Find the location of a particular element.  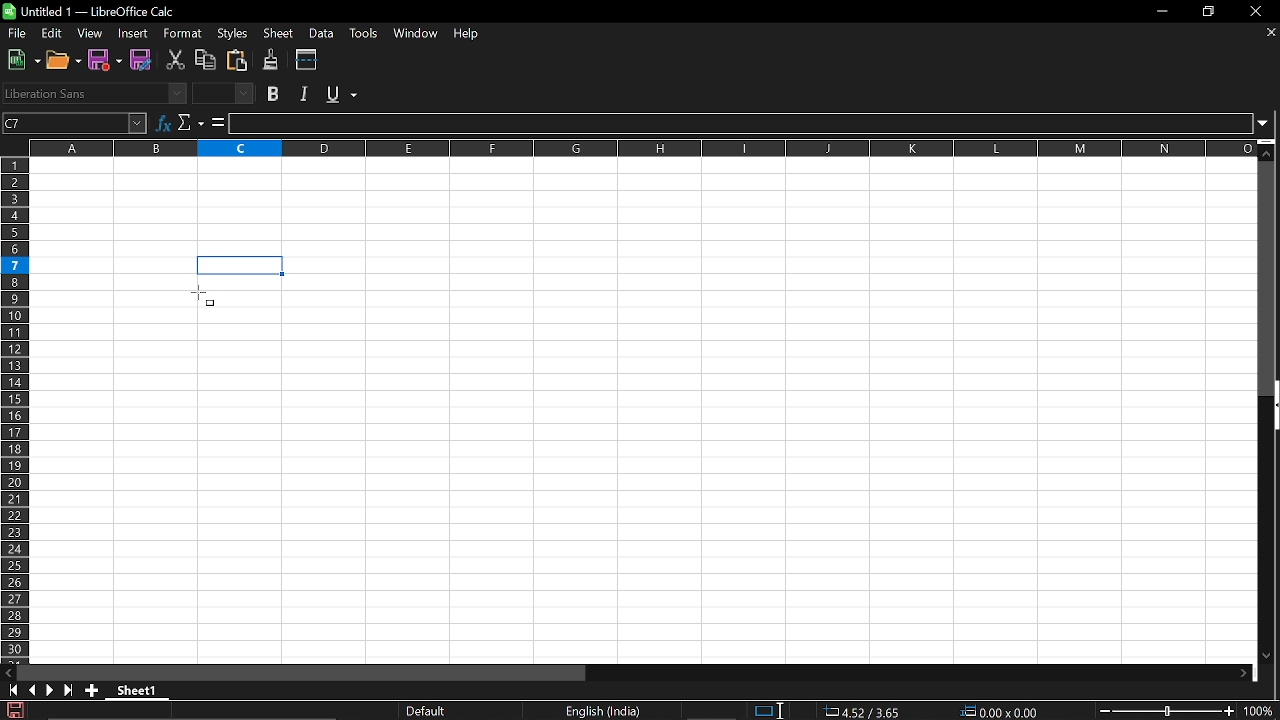

Italic is located at coordinates (307, 94).